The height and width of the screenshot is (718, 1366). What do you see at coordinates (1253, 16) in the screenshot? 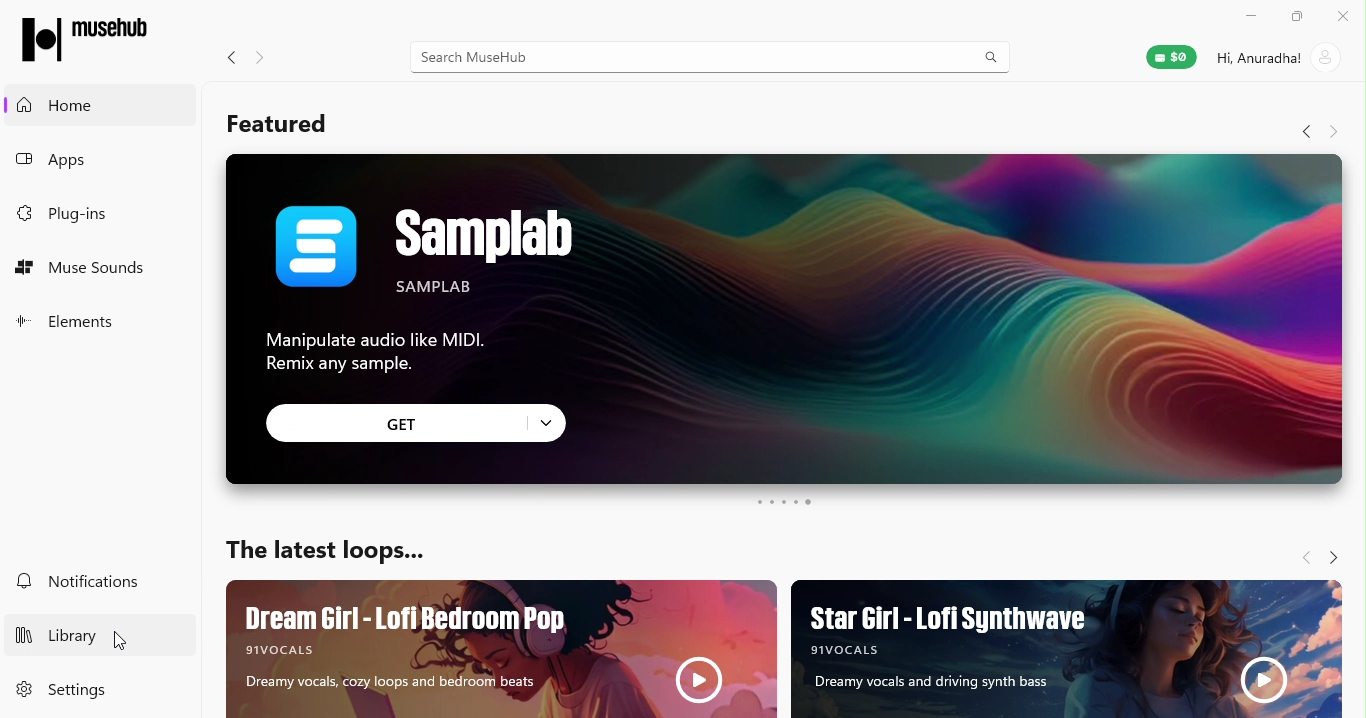
I see `Minimize` at bounding box center [1253, 16].